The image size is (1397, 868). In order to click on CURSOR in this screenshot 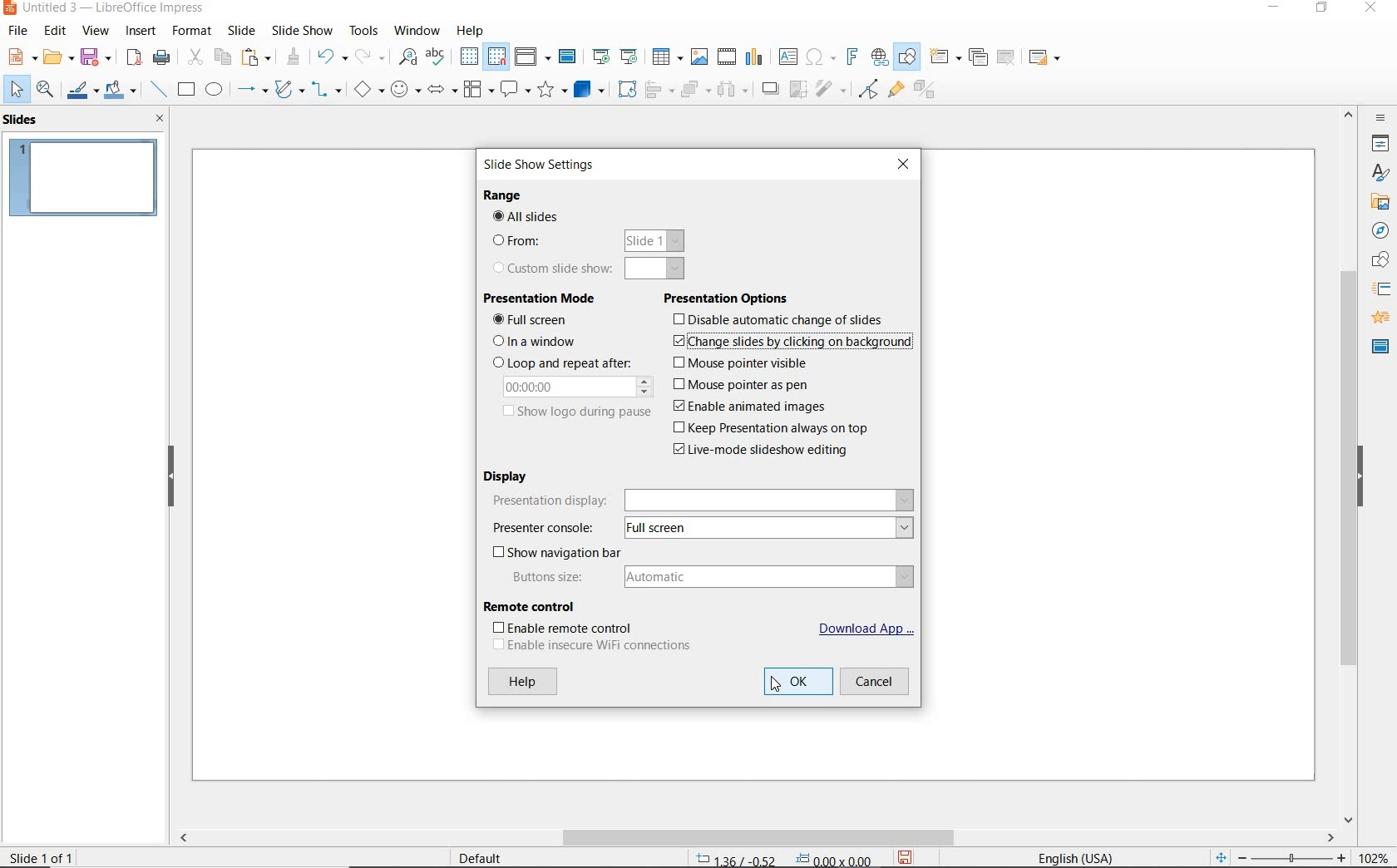, I will do `click(777, 687)`.